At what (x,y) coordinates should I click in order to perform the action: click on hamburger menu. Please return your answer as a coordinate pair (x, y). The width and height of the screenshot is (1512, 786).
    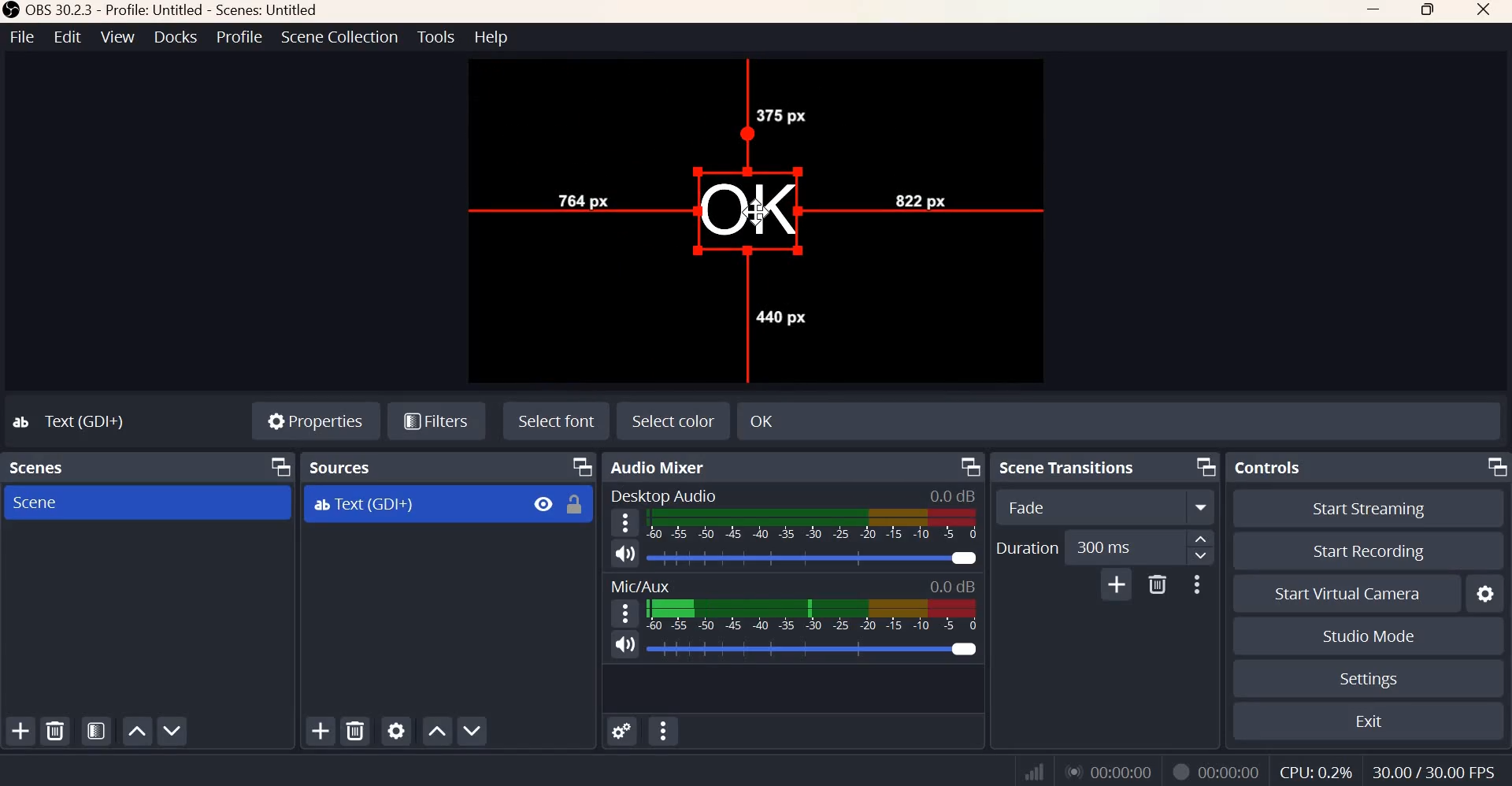
    Looking at the image, I should click on (622, 523).